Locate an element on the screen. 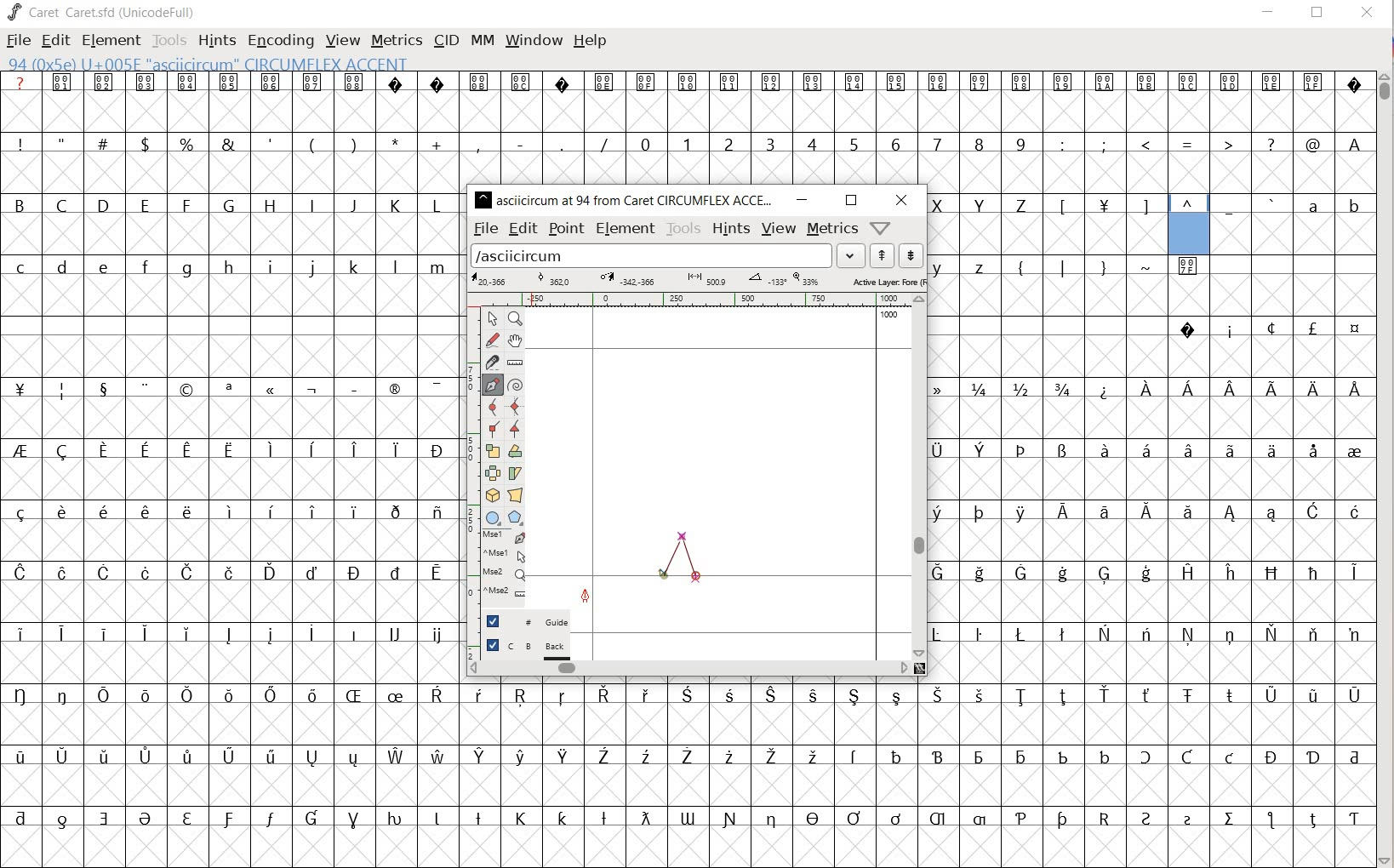 Image resolution: width=1394 pixels, height=868 pixels. glyph characters is located at coordinates (920, 128).